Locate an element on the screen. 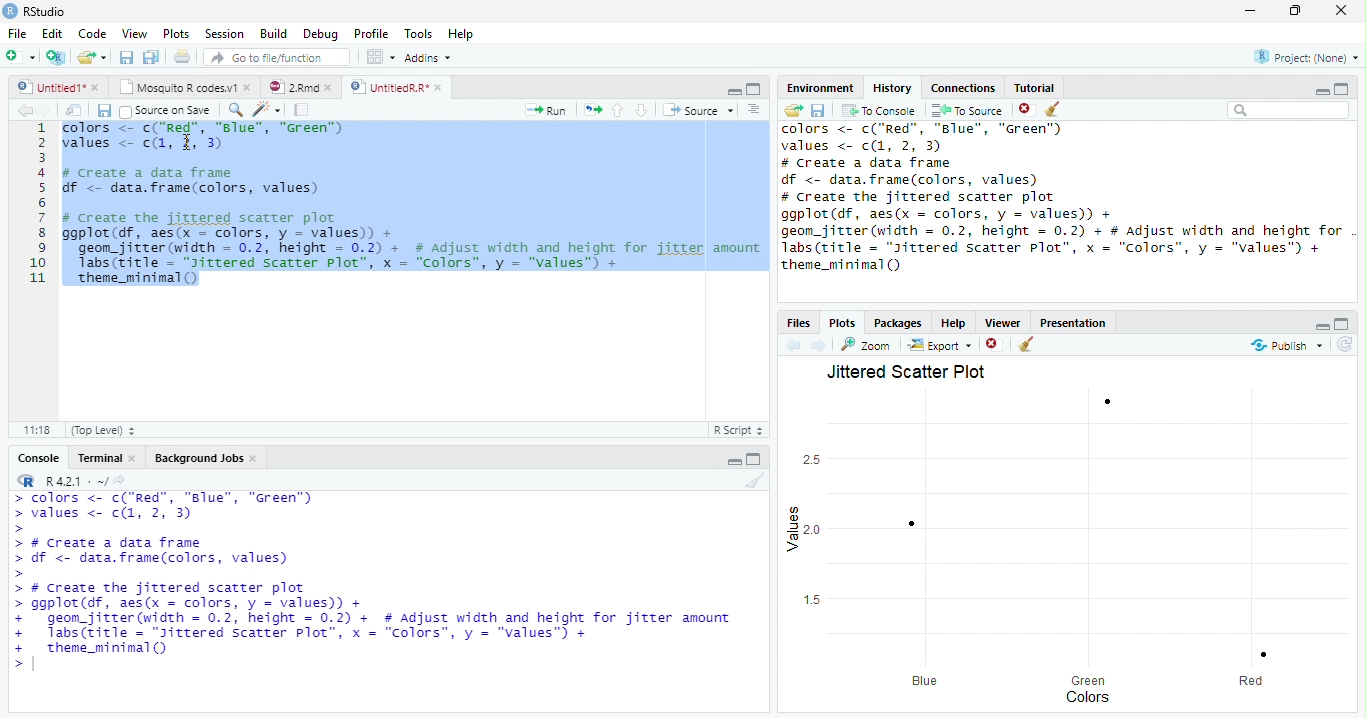 This screenshot has width=1366, height=718. RStudio is located at coordinates (35, 12).